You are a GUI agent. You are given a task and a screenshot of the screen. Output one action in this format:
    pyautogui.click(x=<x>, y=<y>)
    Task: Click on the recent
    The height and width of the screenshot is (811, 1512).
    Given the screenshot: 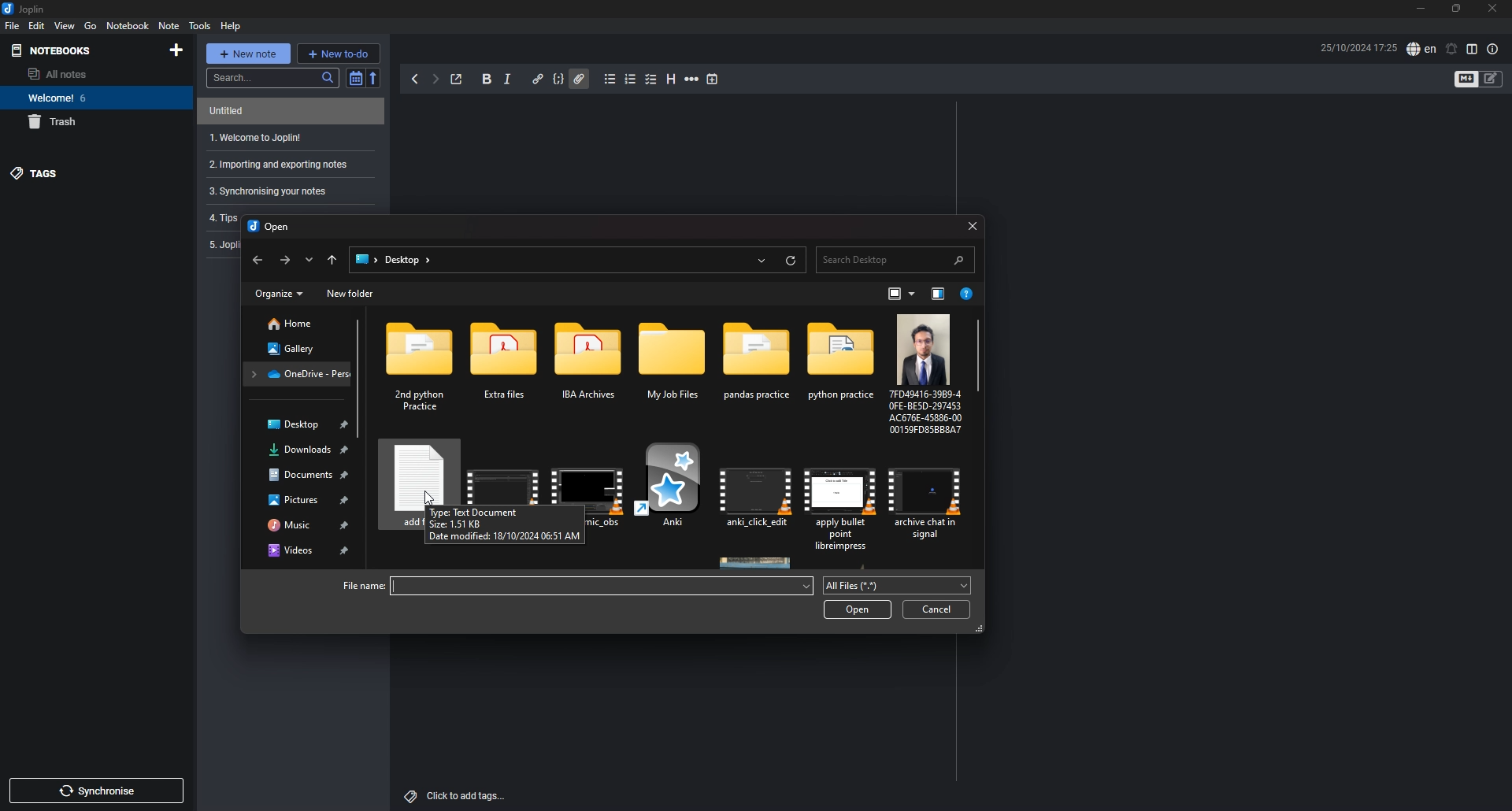 What is the action you would take?
    pyautogui.click(x=308, y=259)
    